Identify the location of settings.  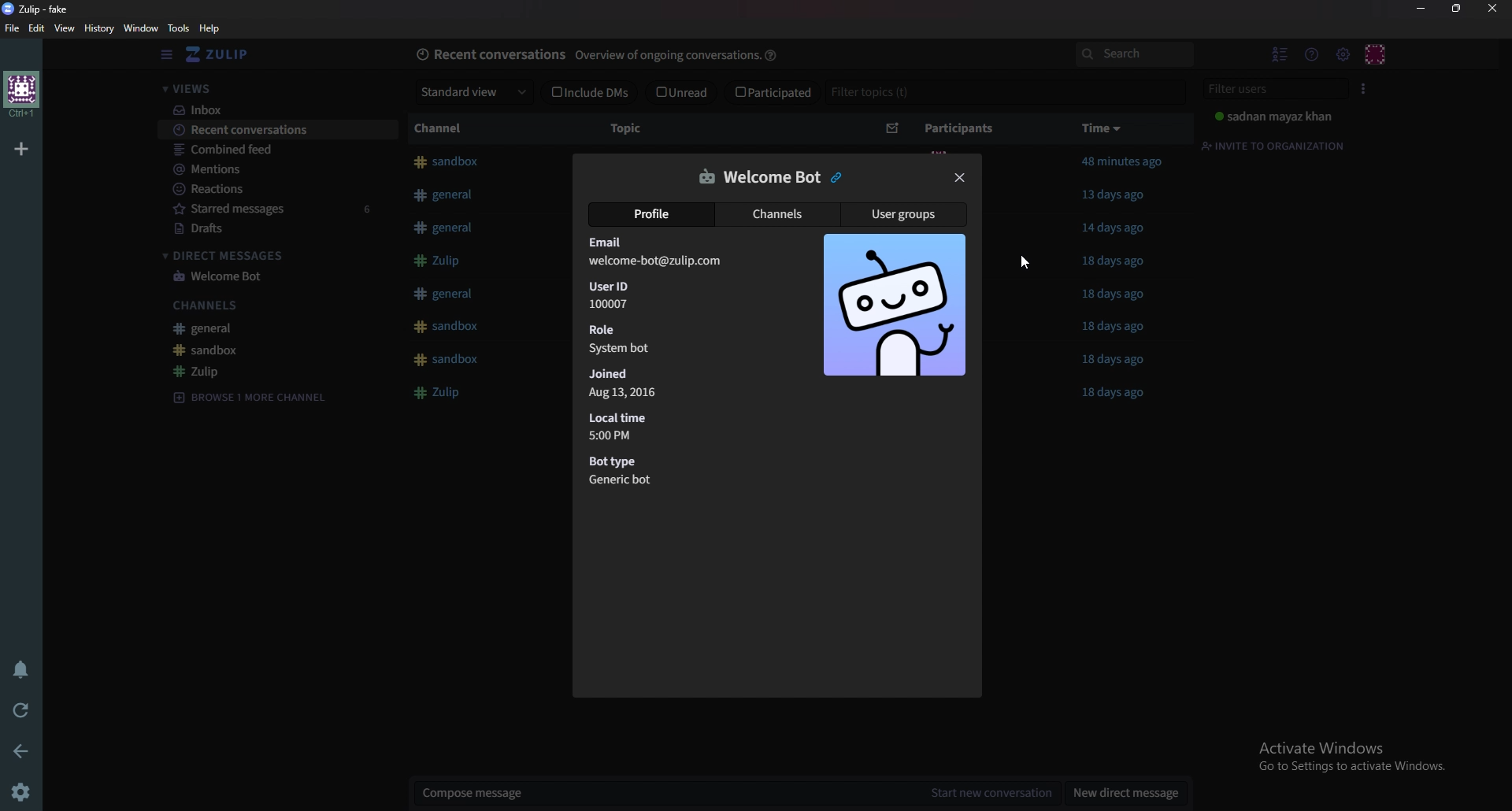
(27, 791).